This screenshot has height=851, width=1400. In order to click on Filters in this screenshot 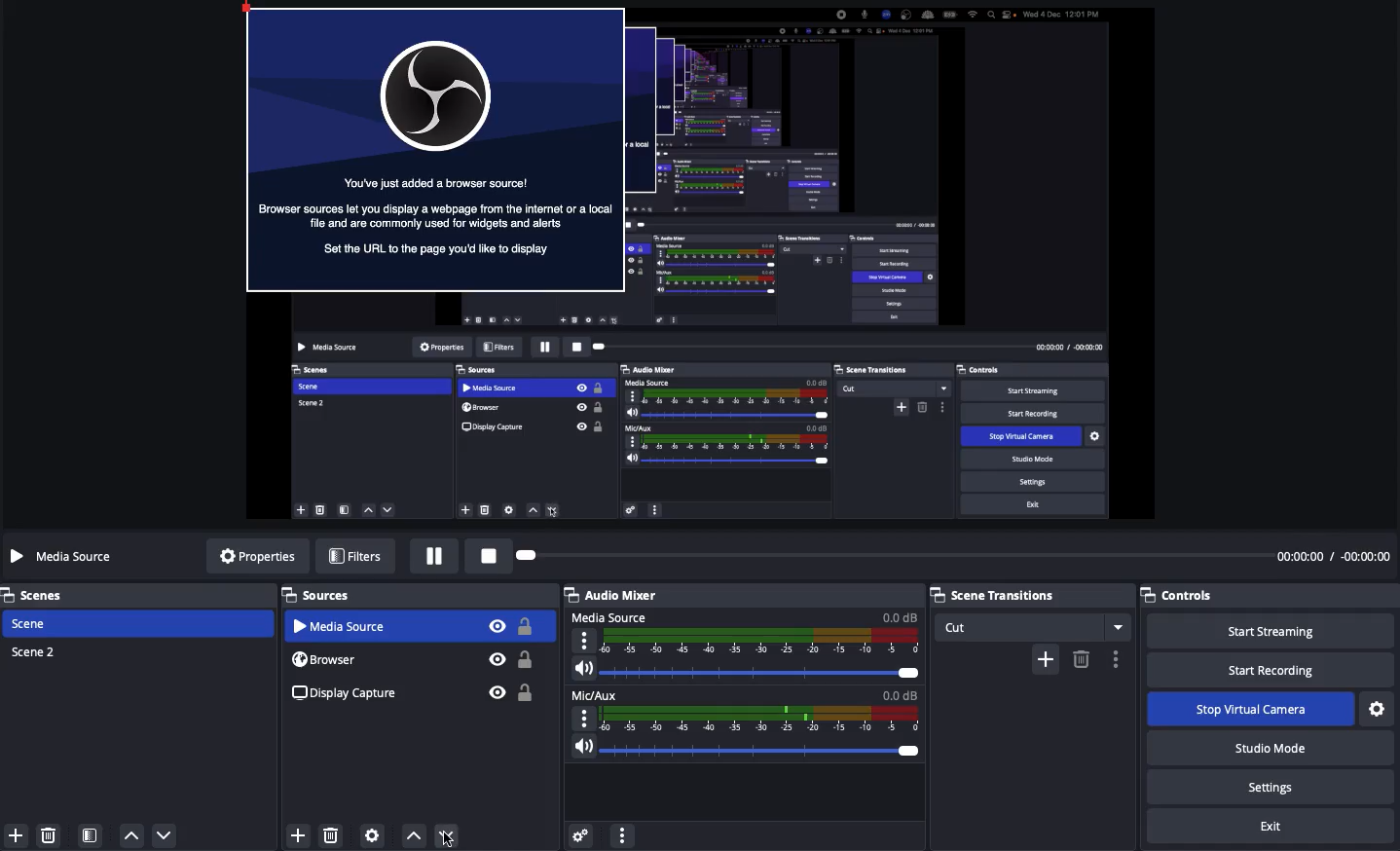, I will do `click(354, 555)`.